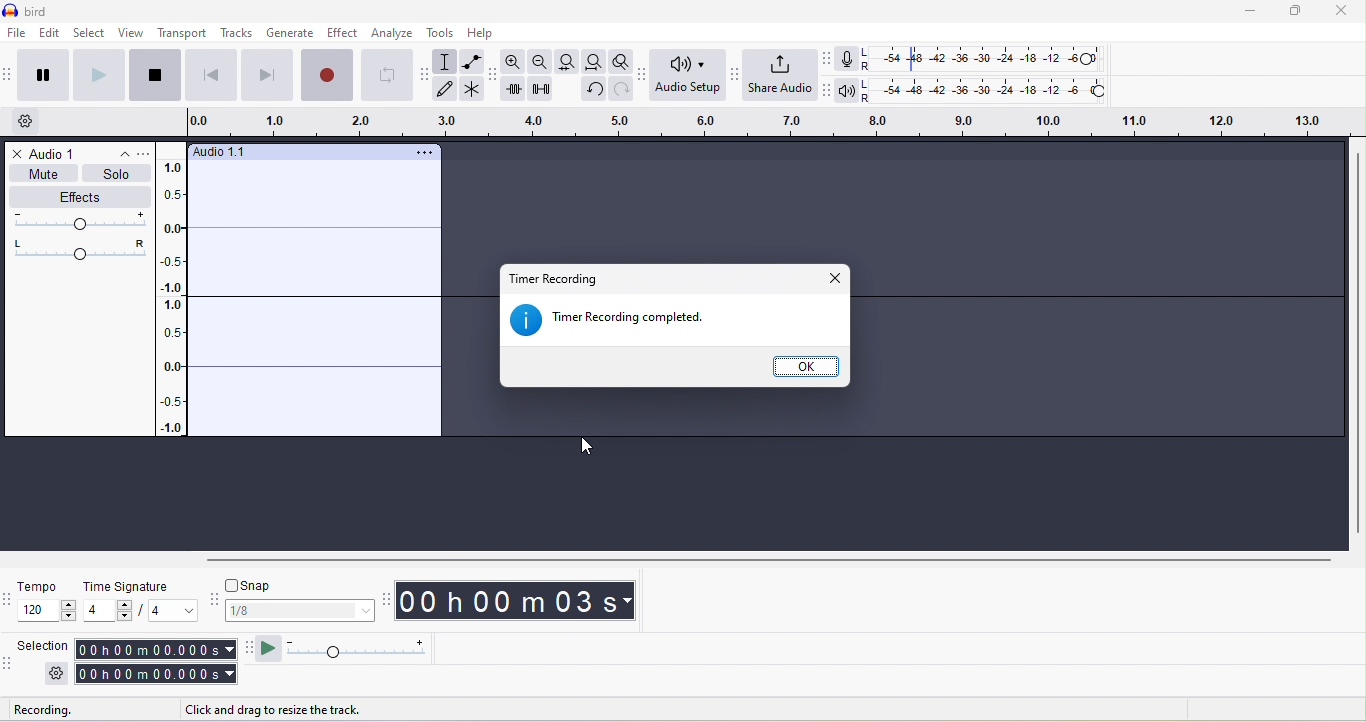 The image size is (1366, 722). What do you see at coordinates (28, 123) in the screenshot?
I see `timeline options` at bounding box center [28, 123].